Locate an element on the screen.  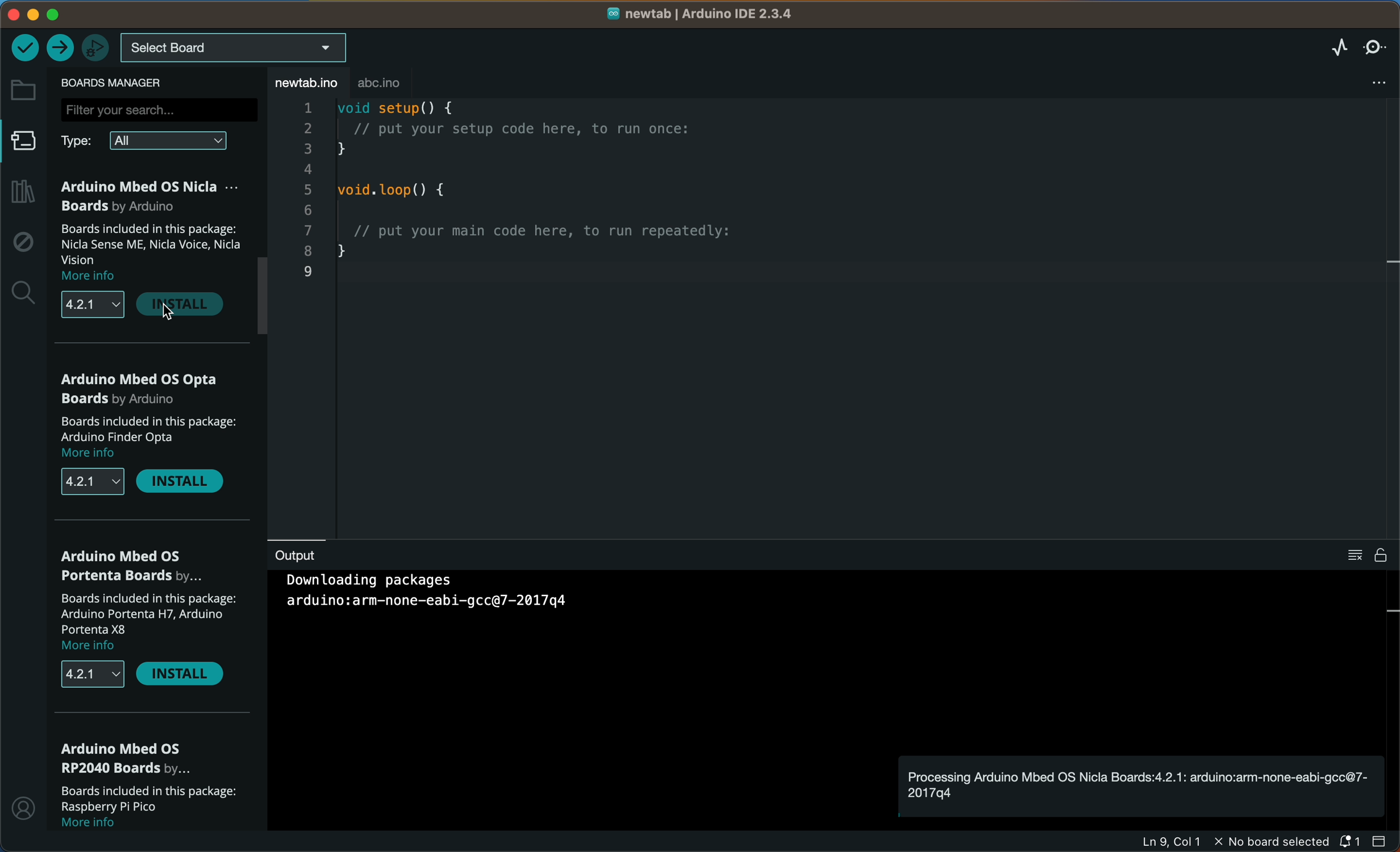
portenta boards is located at coordinates (130, 564).